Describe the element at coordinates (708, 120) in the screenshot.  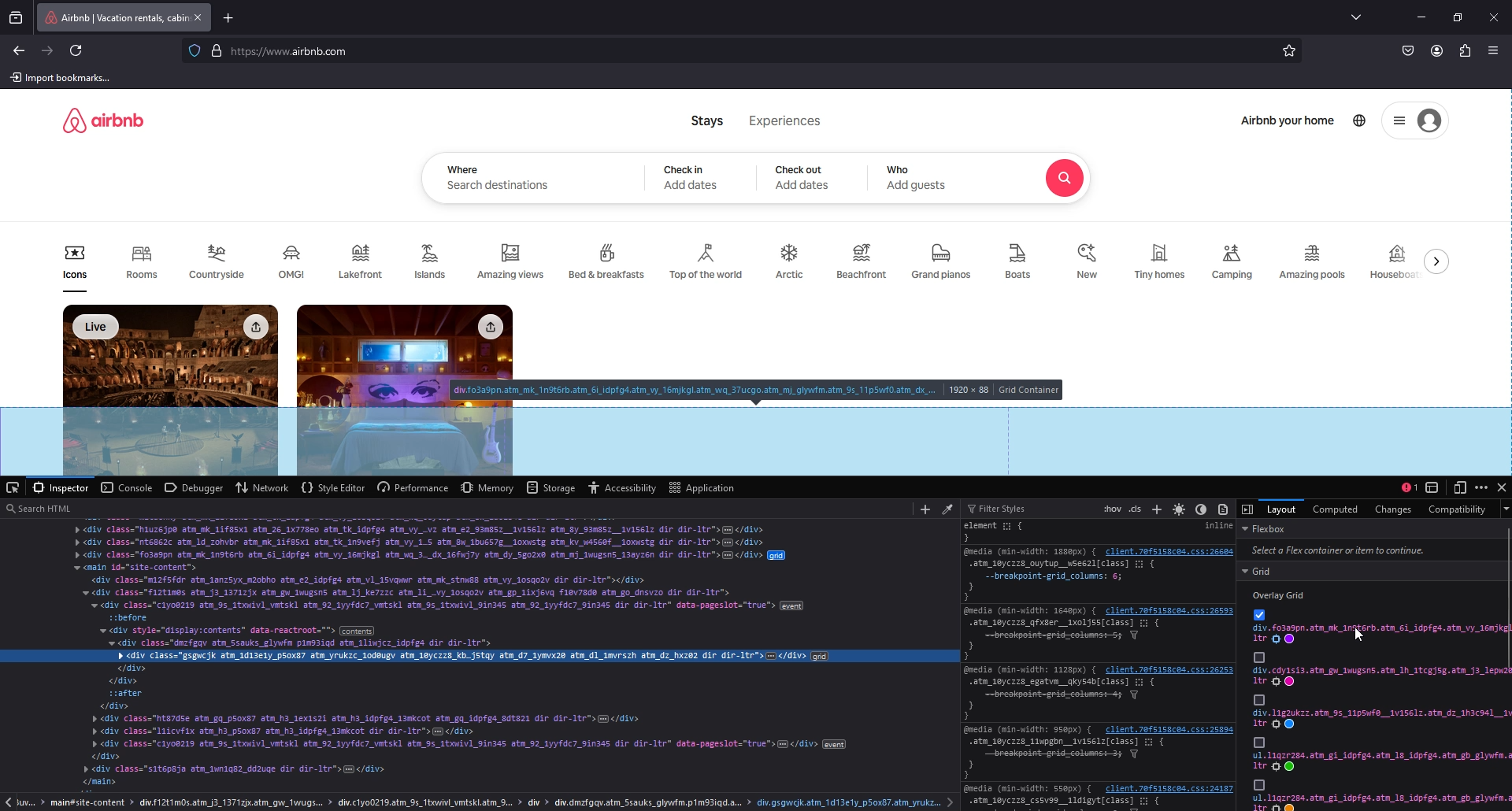
I see `Stays ` at that location.